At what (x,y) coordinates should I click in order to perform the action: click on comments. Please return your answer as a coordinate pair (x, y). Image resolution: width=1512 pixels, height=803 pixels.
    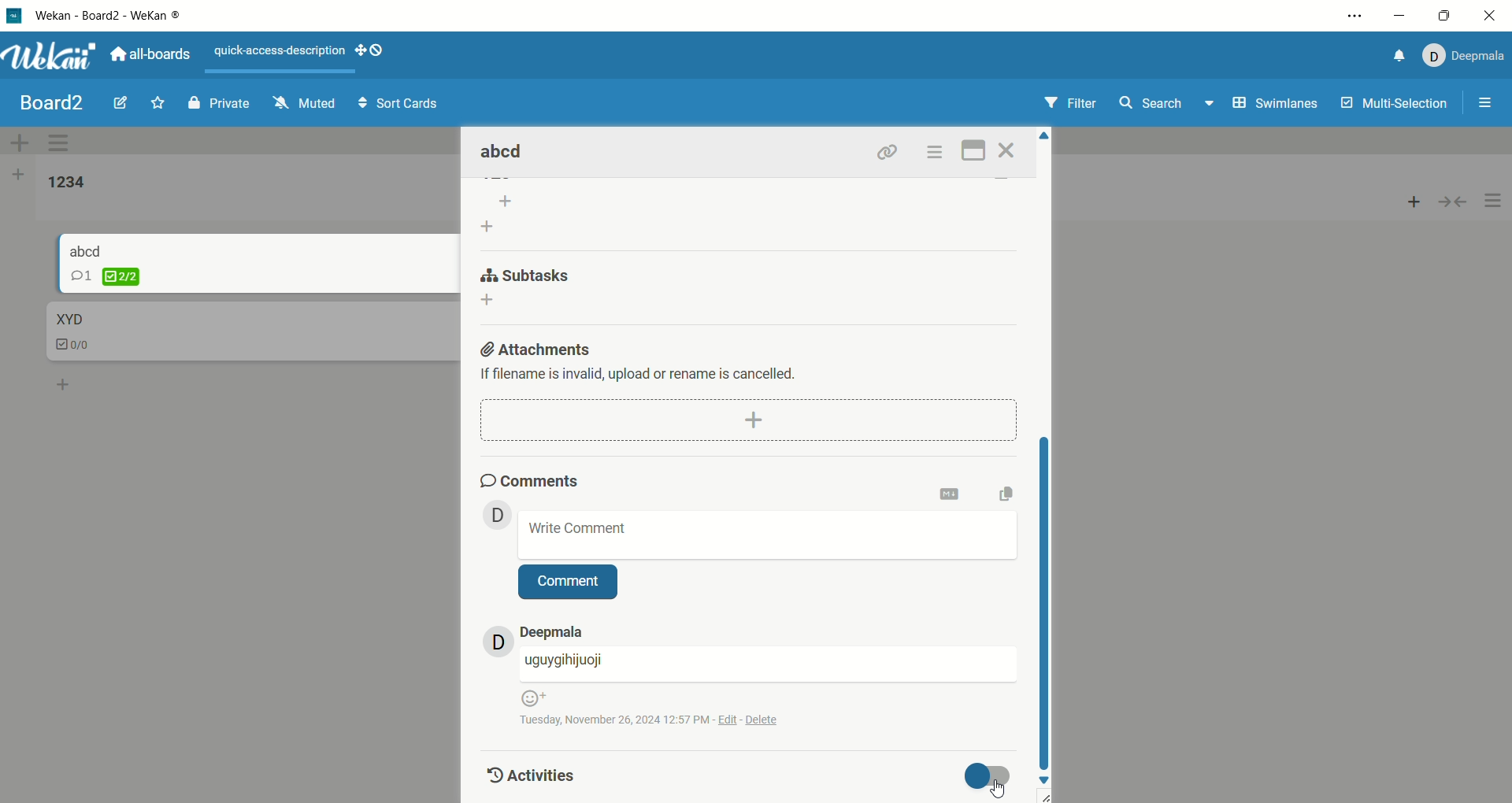
    Looking at the image, I should click on (532, 479).